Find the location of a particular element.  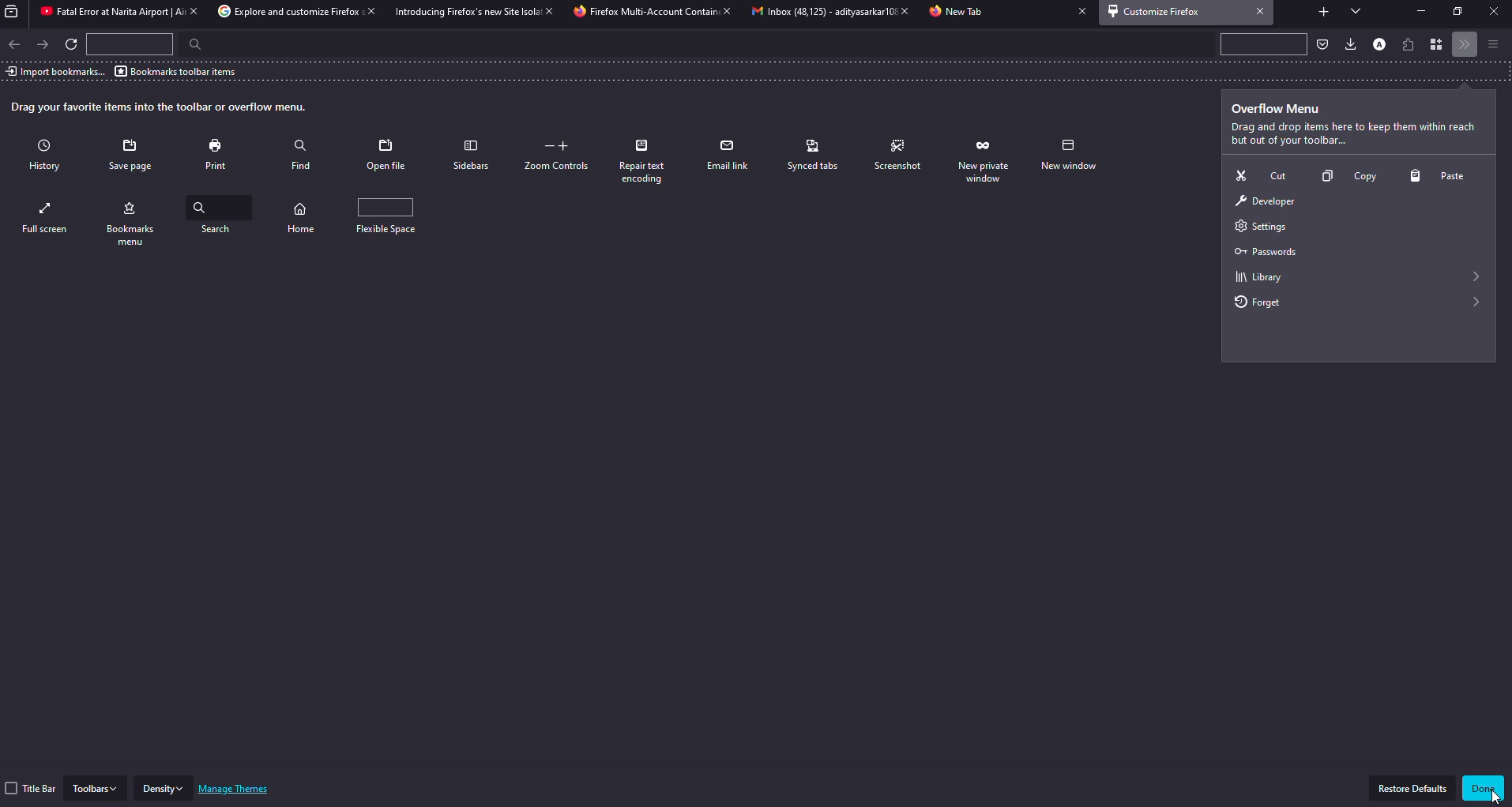

close is located at coordinates (546, 10).